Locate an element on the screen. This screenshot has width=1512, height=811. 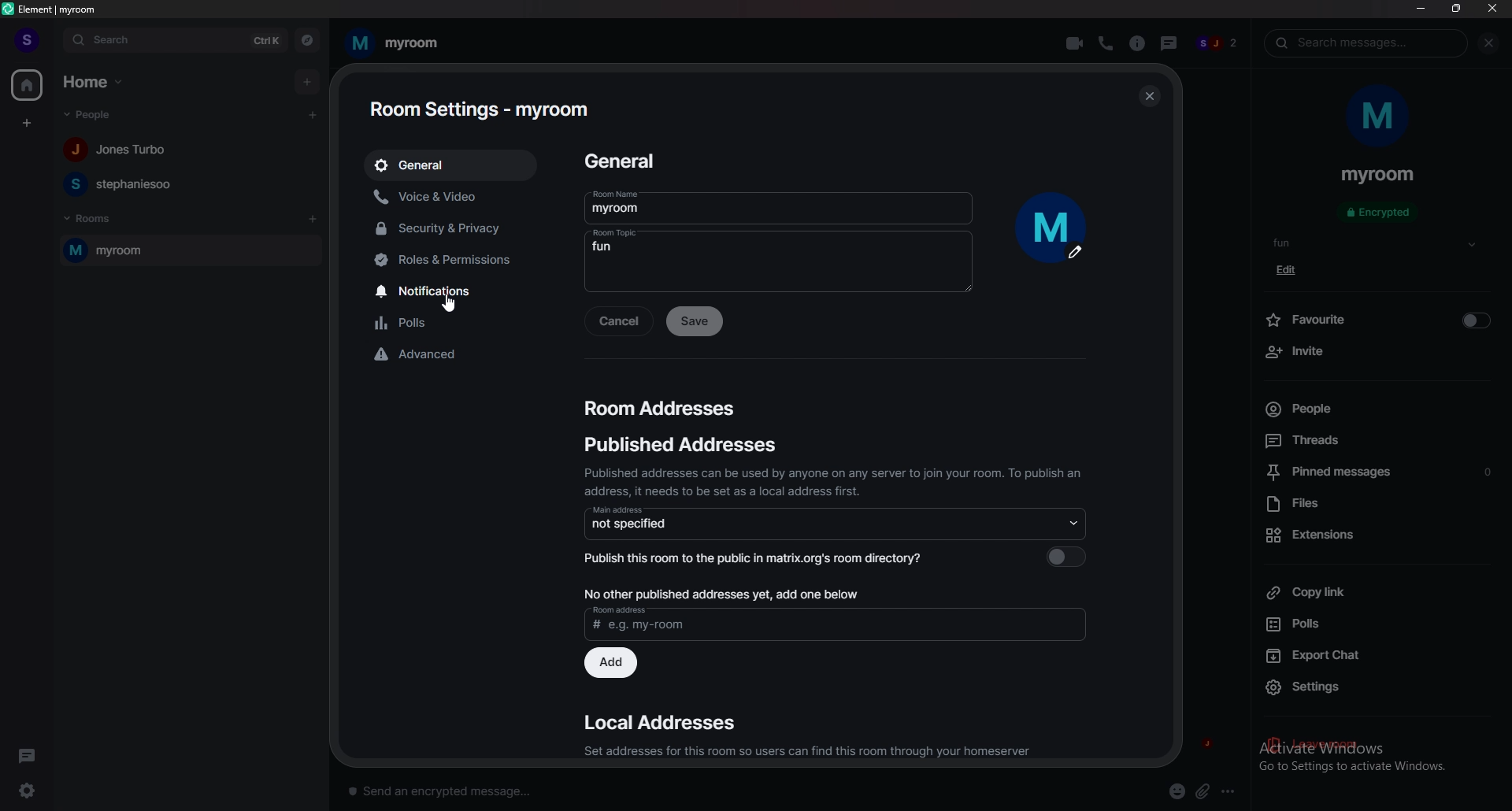
j is located at coordinates (1203, 744).